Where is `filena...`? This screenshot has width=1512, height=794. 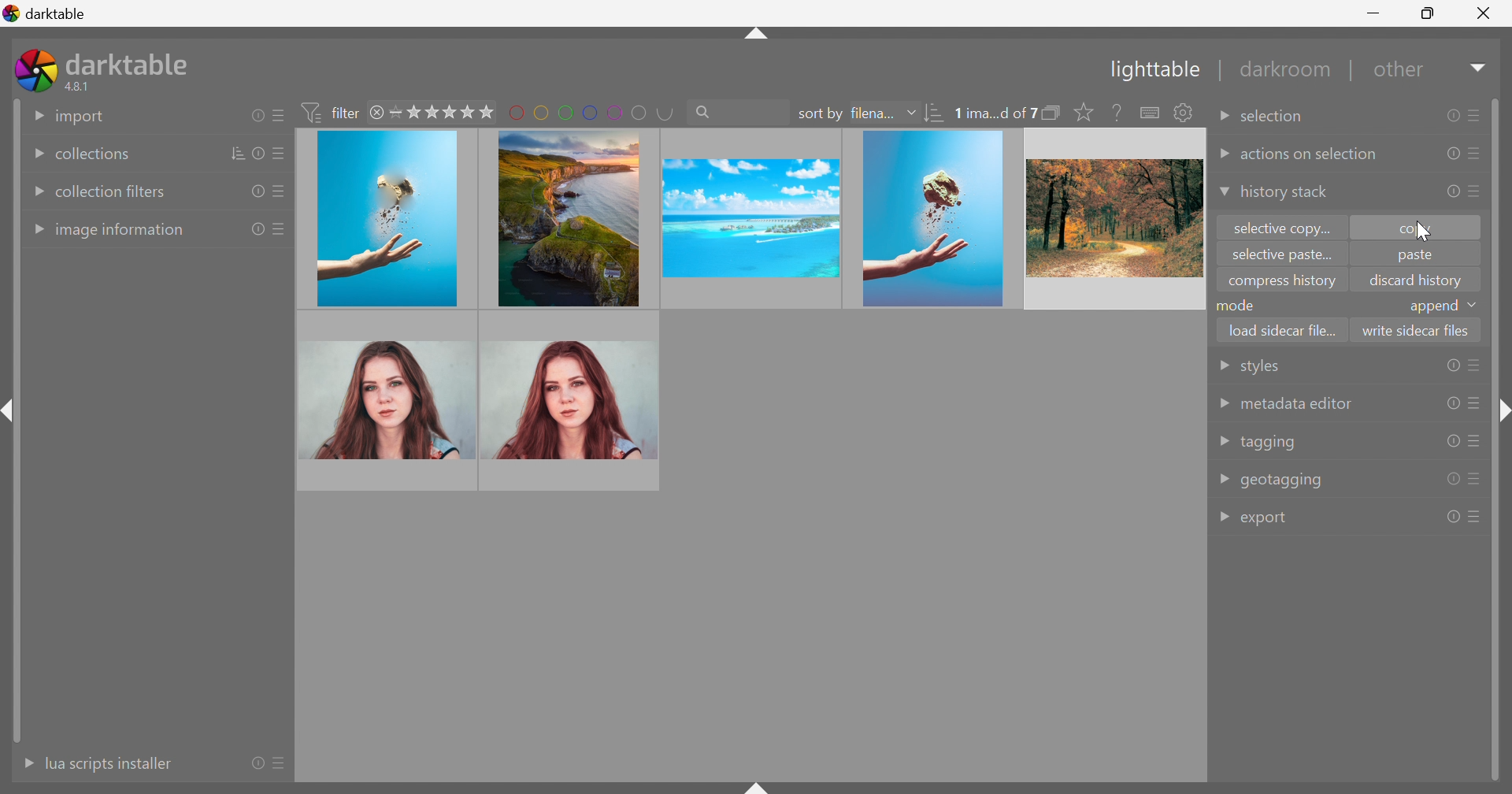
filena... is located at coordinates (870, 114).